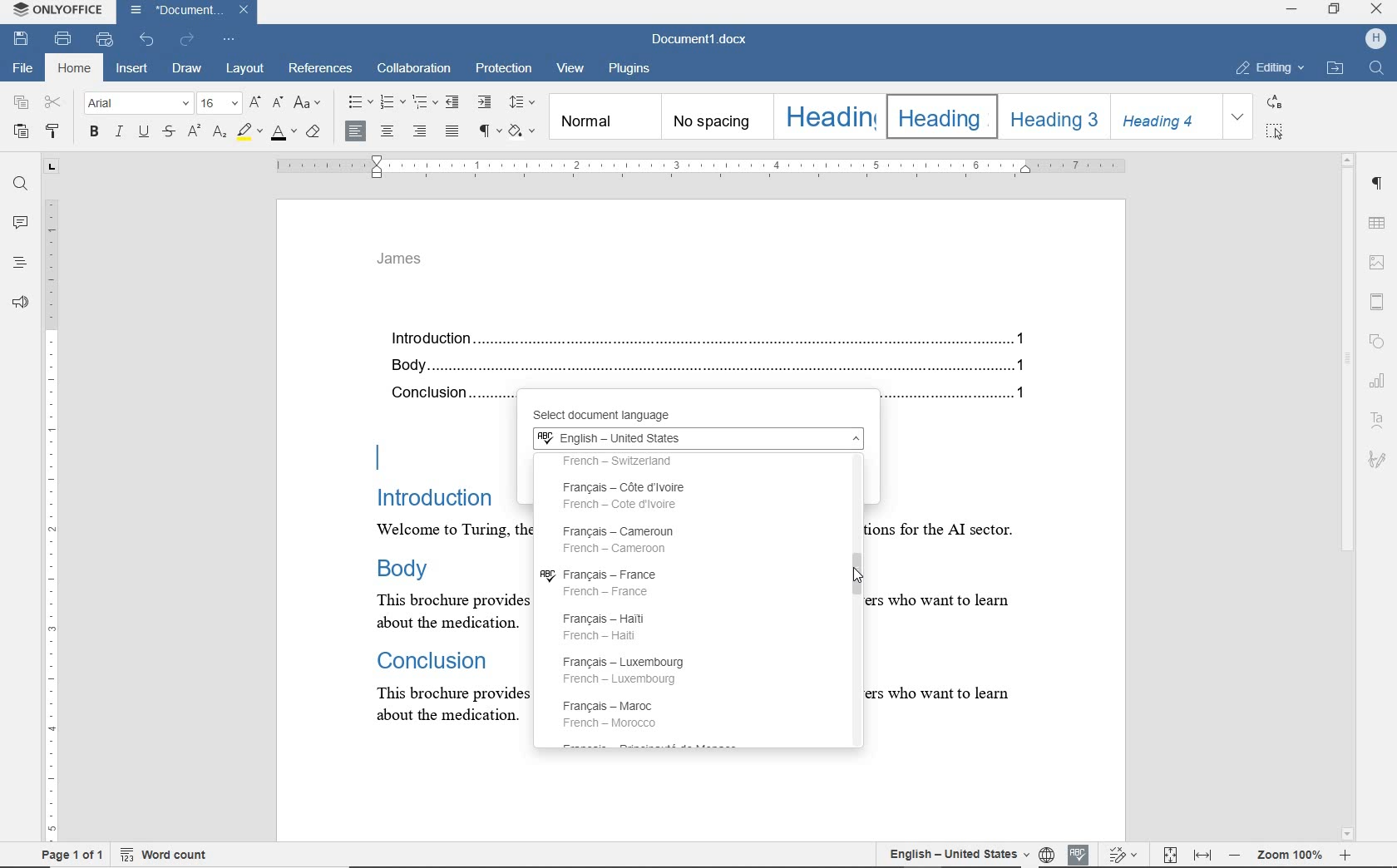 This screenshot has height=868, width=1397. What do you see at coordinates (1124, 855) in the screenshot?
I see `track changes` at bounding box center [1124, 855].